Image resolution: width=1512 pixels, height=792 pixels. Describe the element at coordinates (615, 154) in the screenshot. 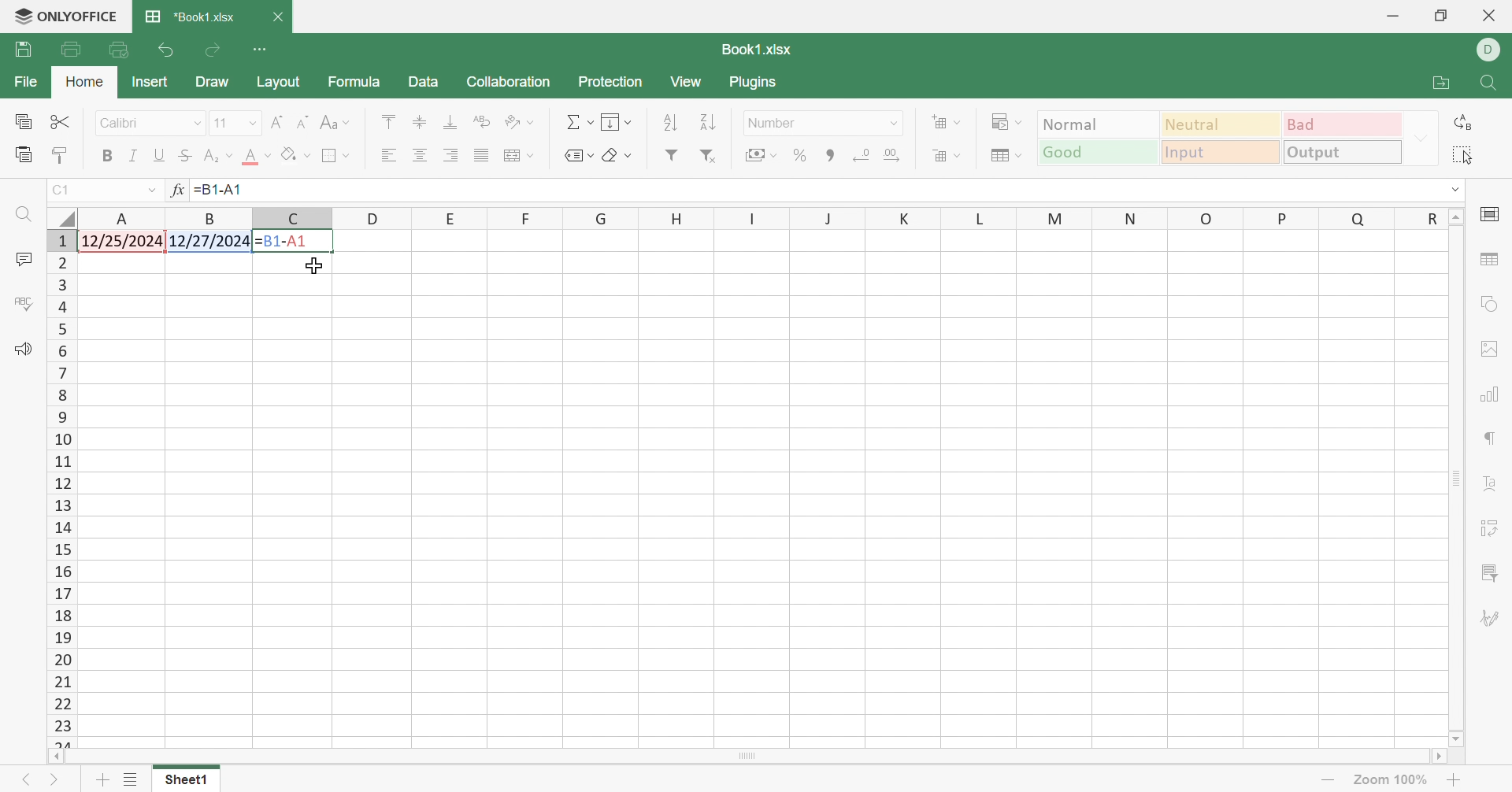

I see `Clear` at that location.